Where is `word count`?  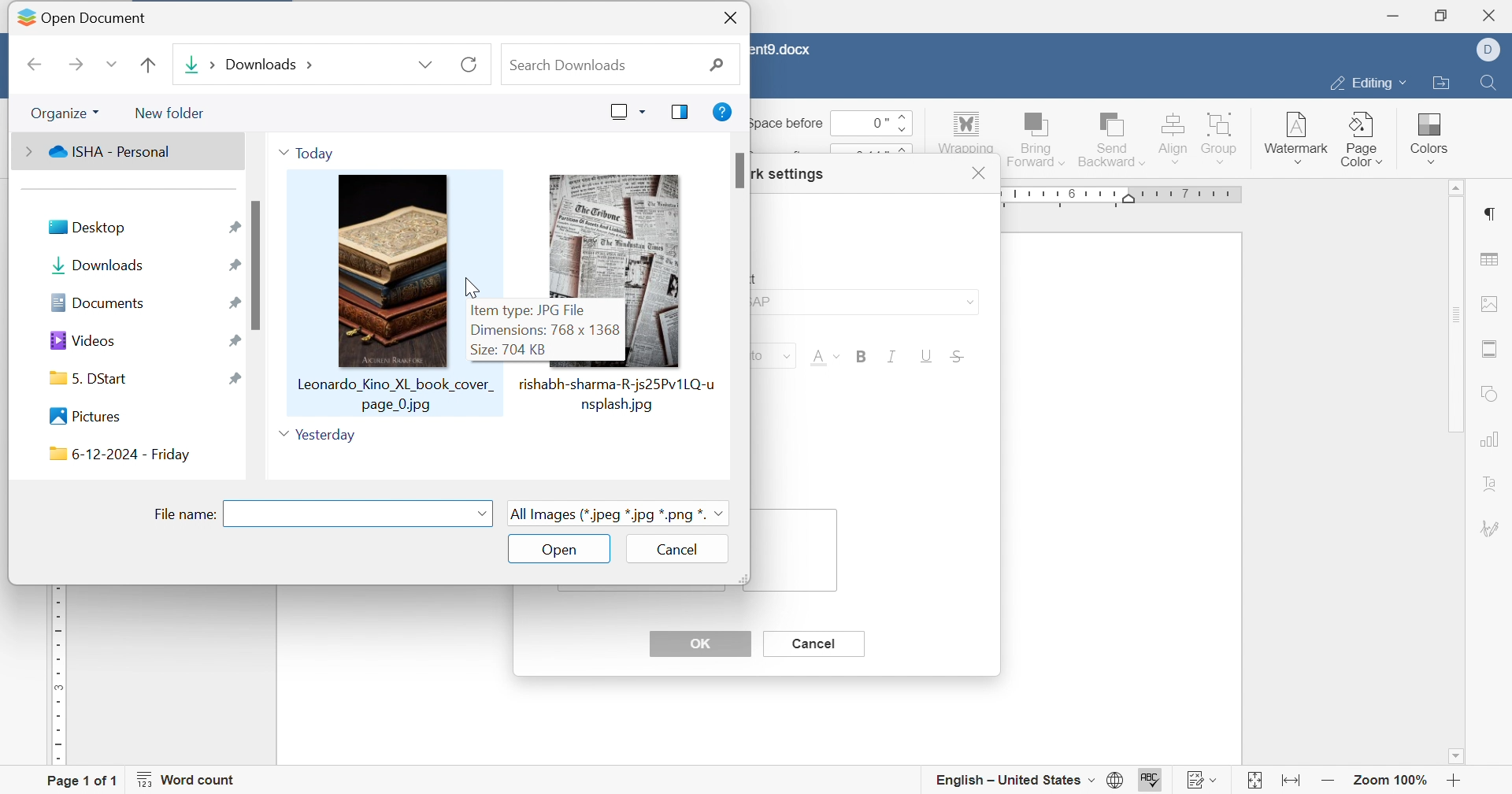
word count is located at coordinates (187, 780).